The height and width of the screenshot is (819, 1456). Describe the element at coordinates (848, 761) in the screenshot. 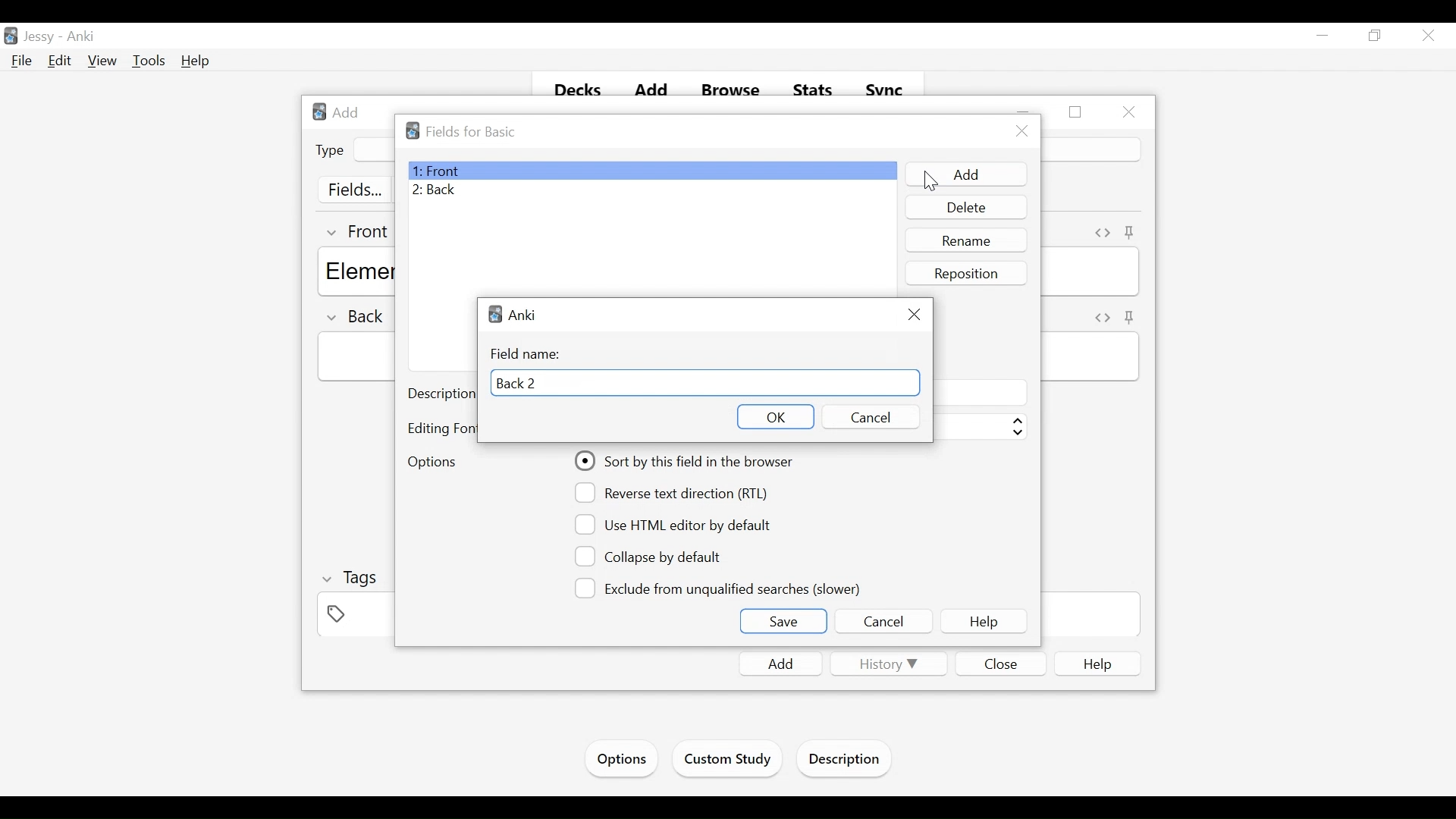

I see `Description` at that location.